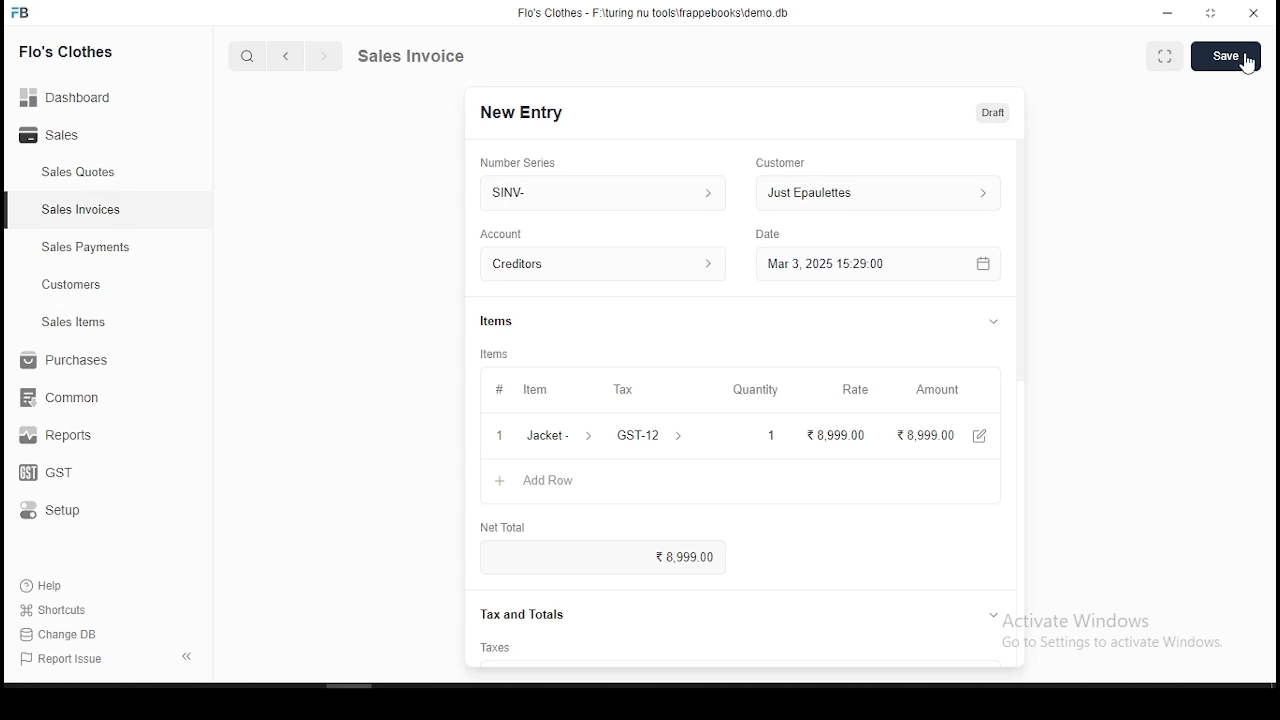  What do you see at coordinates (523, 156) in the screenshot?
I see `number series` at bounding box center [523, 156].